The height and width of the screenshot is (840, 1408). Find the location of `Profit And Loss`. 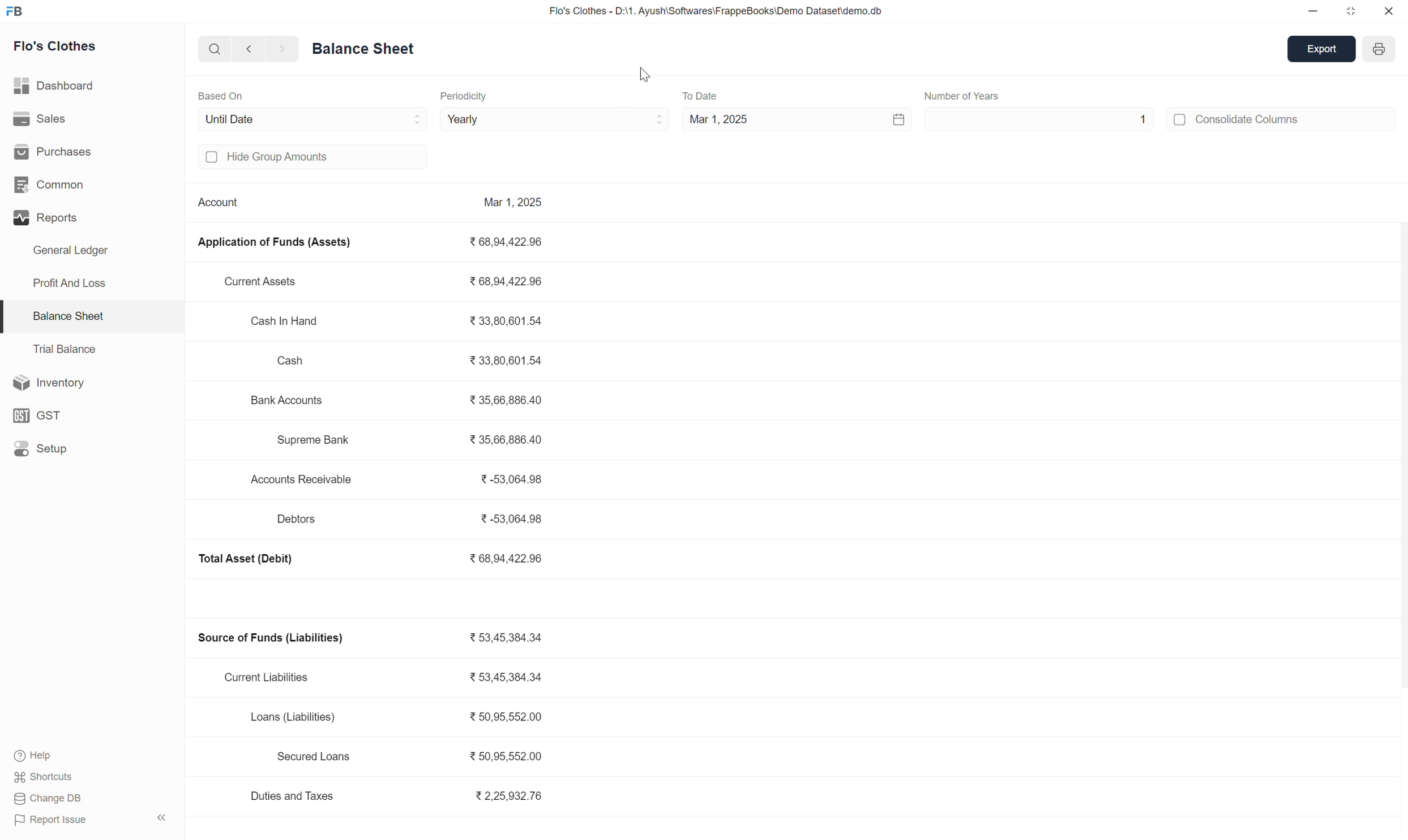

Profit And Loss is located at coordinates (74, 282).